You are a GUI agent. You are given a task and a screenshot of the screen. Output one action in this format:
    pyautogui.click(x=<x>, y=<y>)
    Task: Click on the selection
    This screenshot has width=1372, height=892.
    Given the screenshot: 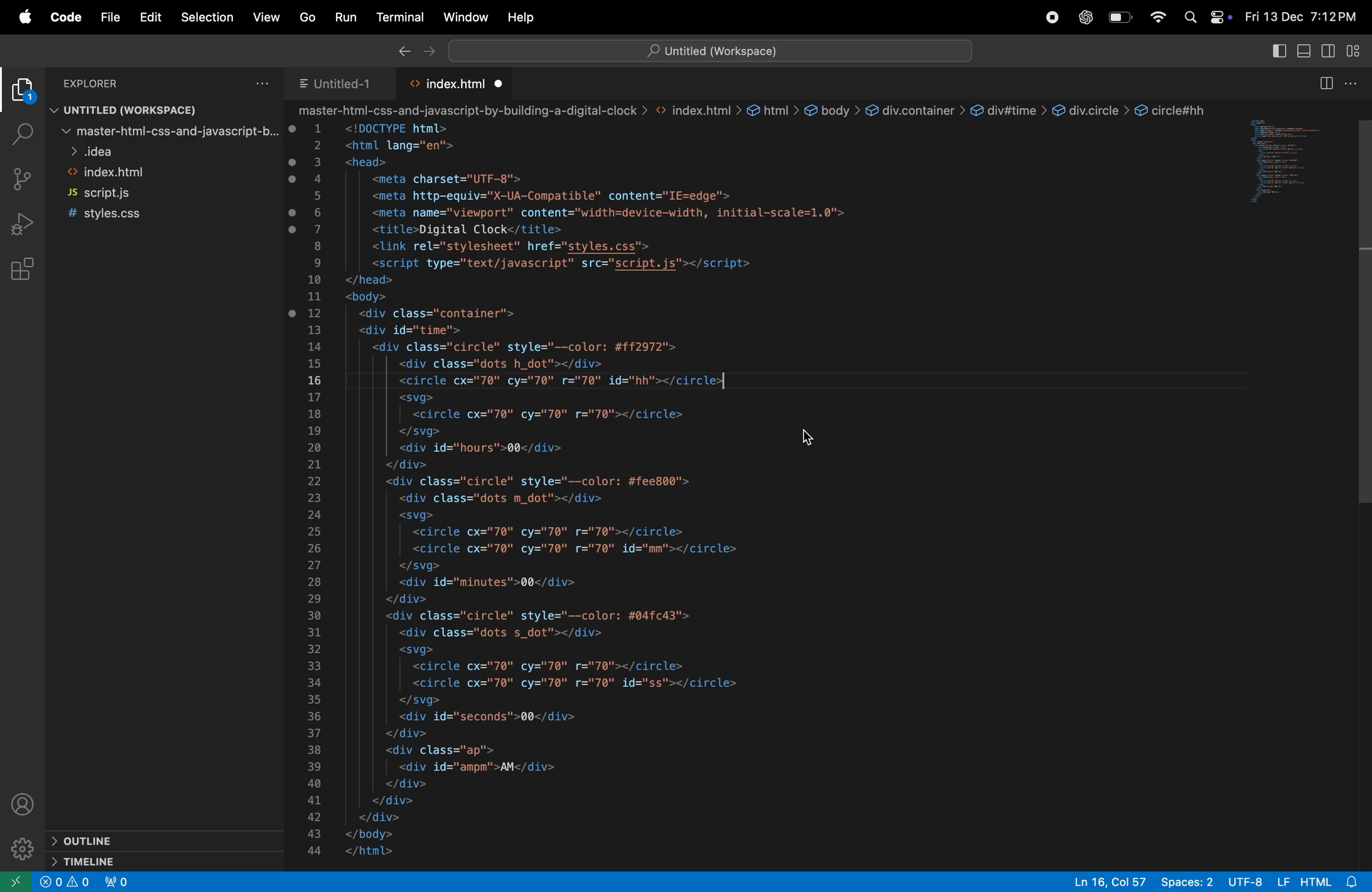 What is the action you would take?
    pyautogui.click(x=207, y=16)
    